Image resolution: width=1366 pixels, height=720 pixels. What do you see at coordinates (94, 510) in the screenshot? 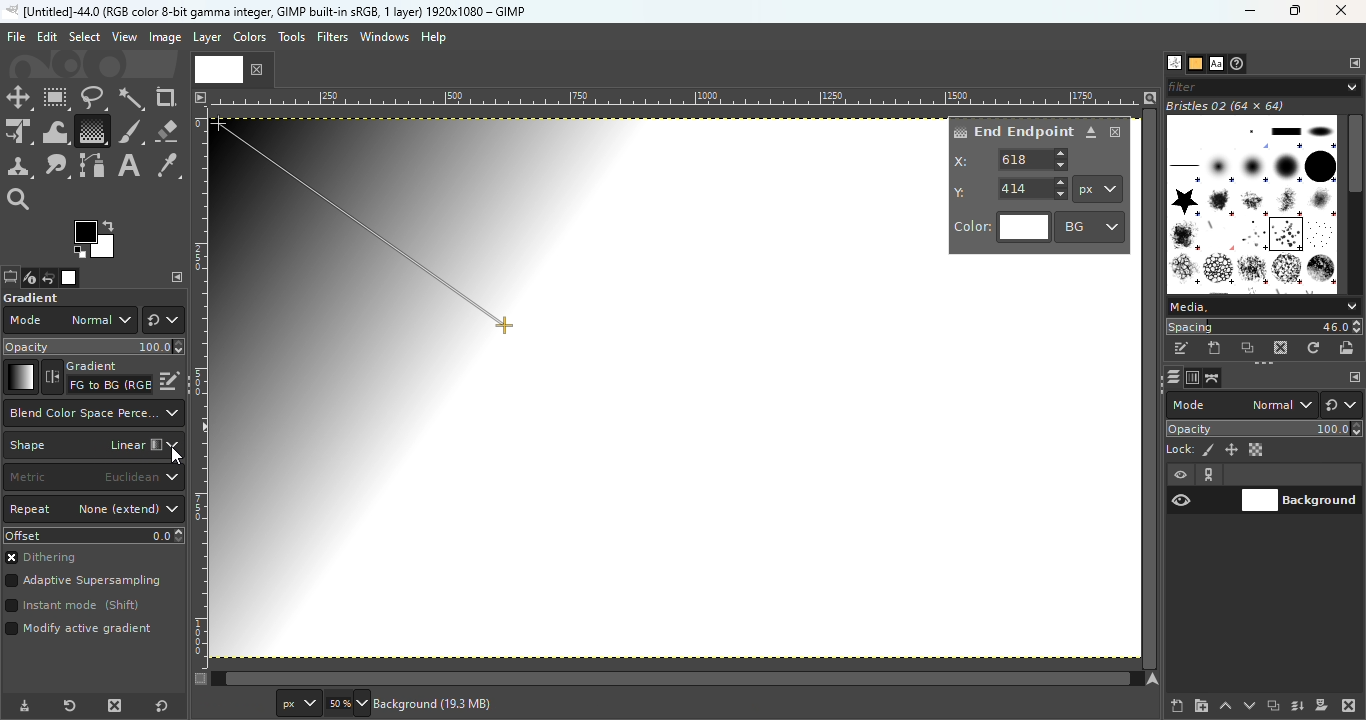
I see `Repeat` at bounding box center [94, 510].